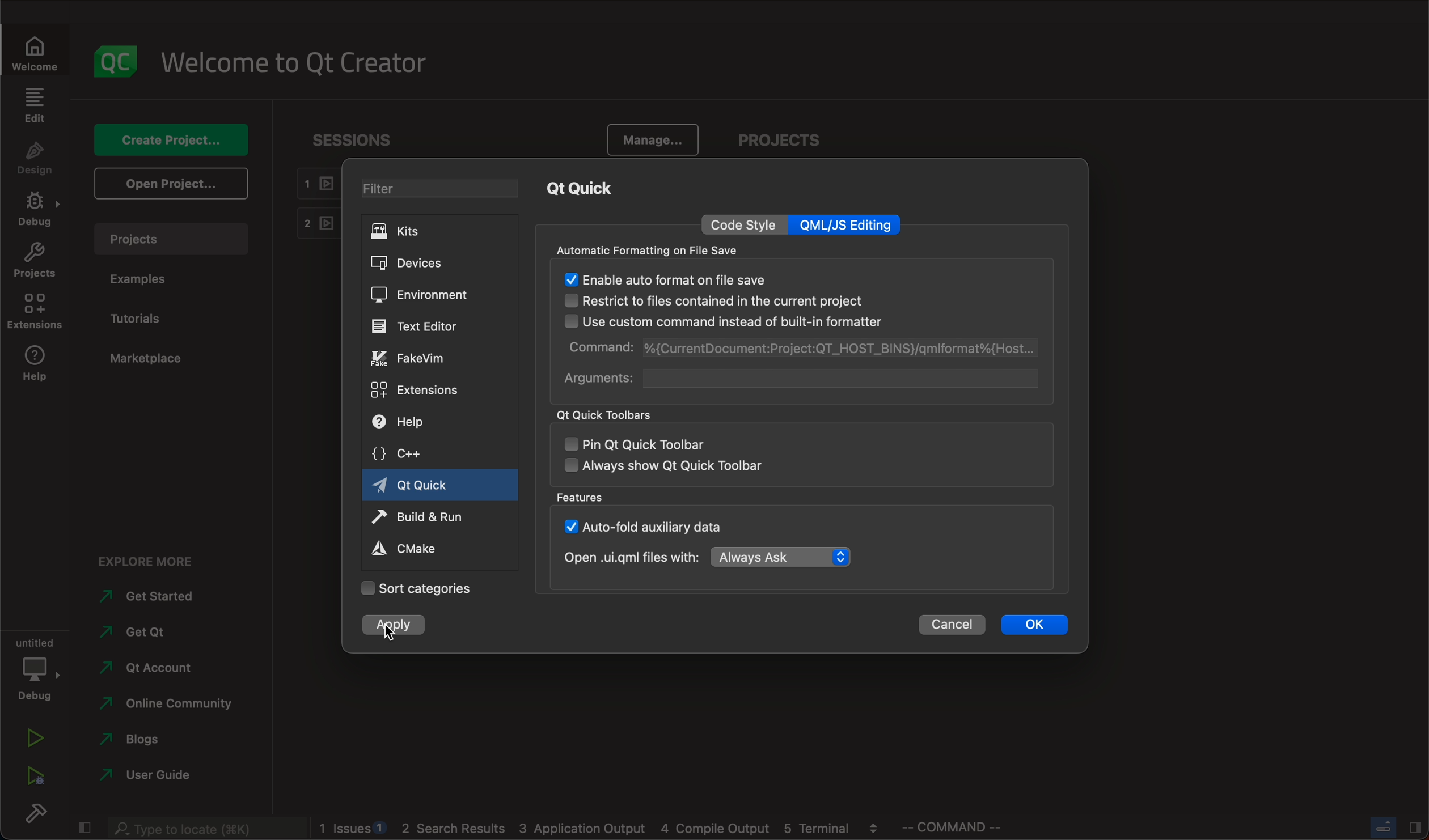 The image size is (1429, 840). What do you see at coordinates (720, 323) in the screenshot?
I see `use custom command` at bounding box center [720, 323].